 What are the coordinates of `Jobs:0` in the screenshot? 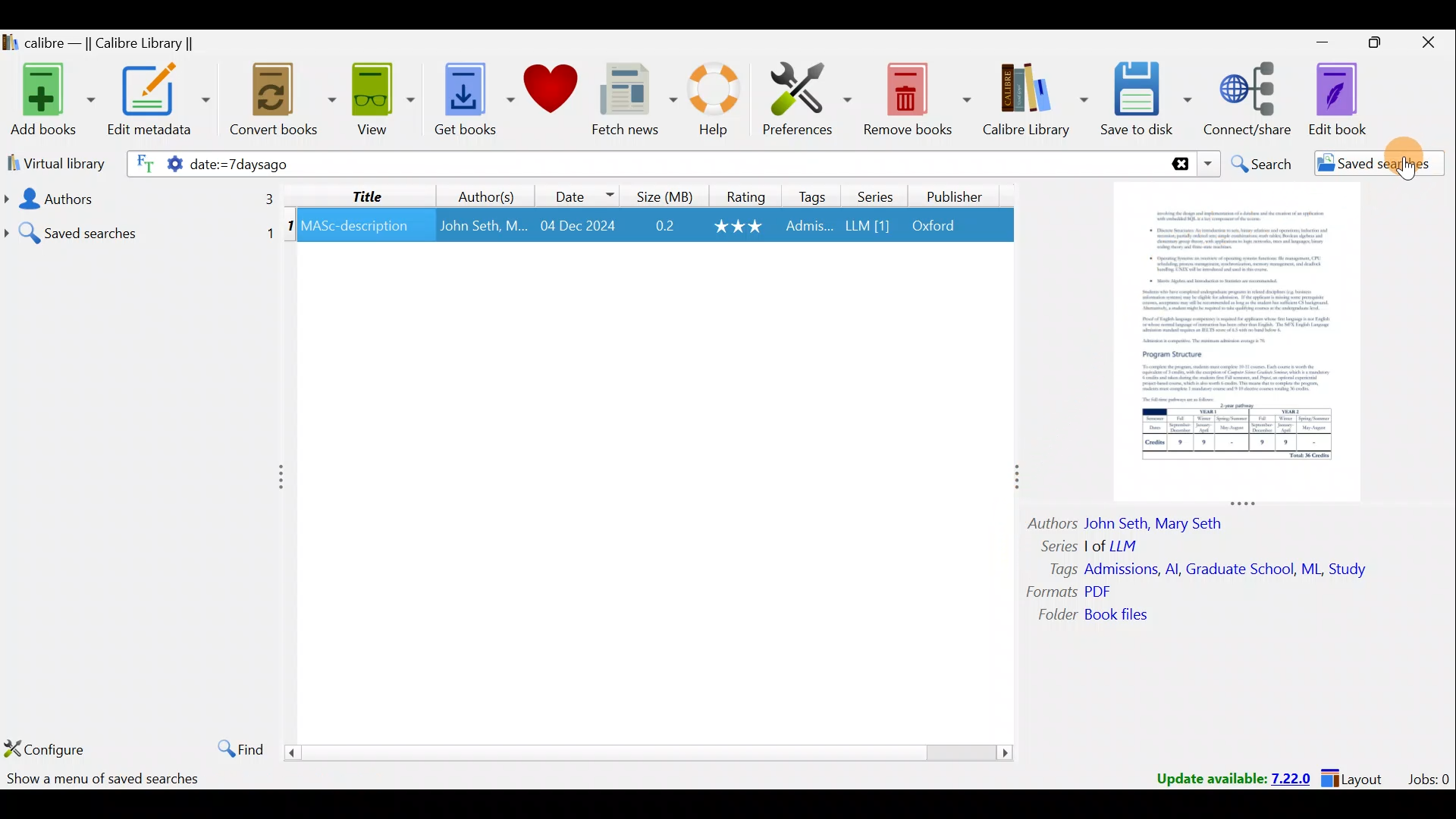 It's located at (1428, 778).